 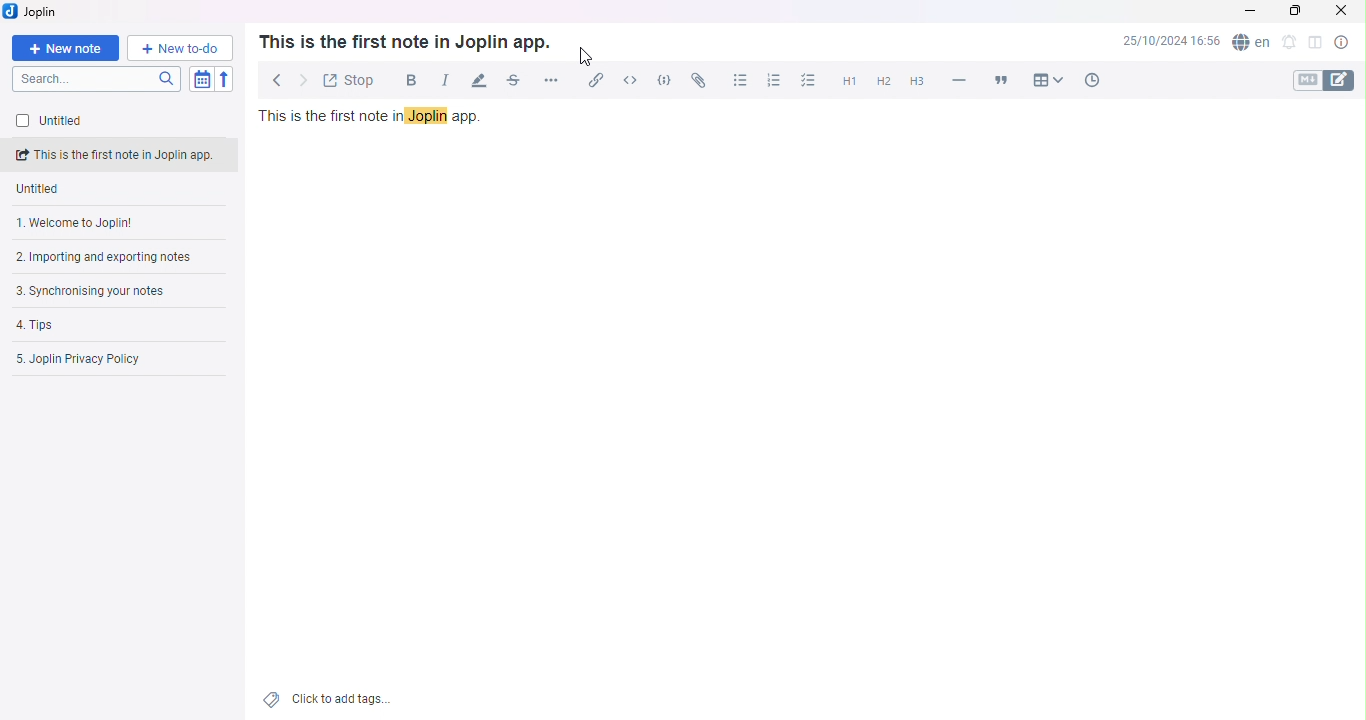 I want to click on Importing and exporting notes, so click(x=115, y=259).